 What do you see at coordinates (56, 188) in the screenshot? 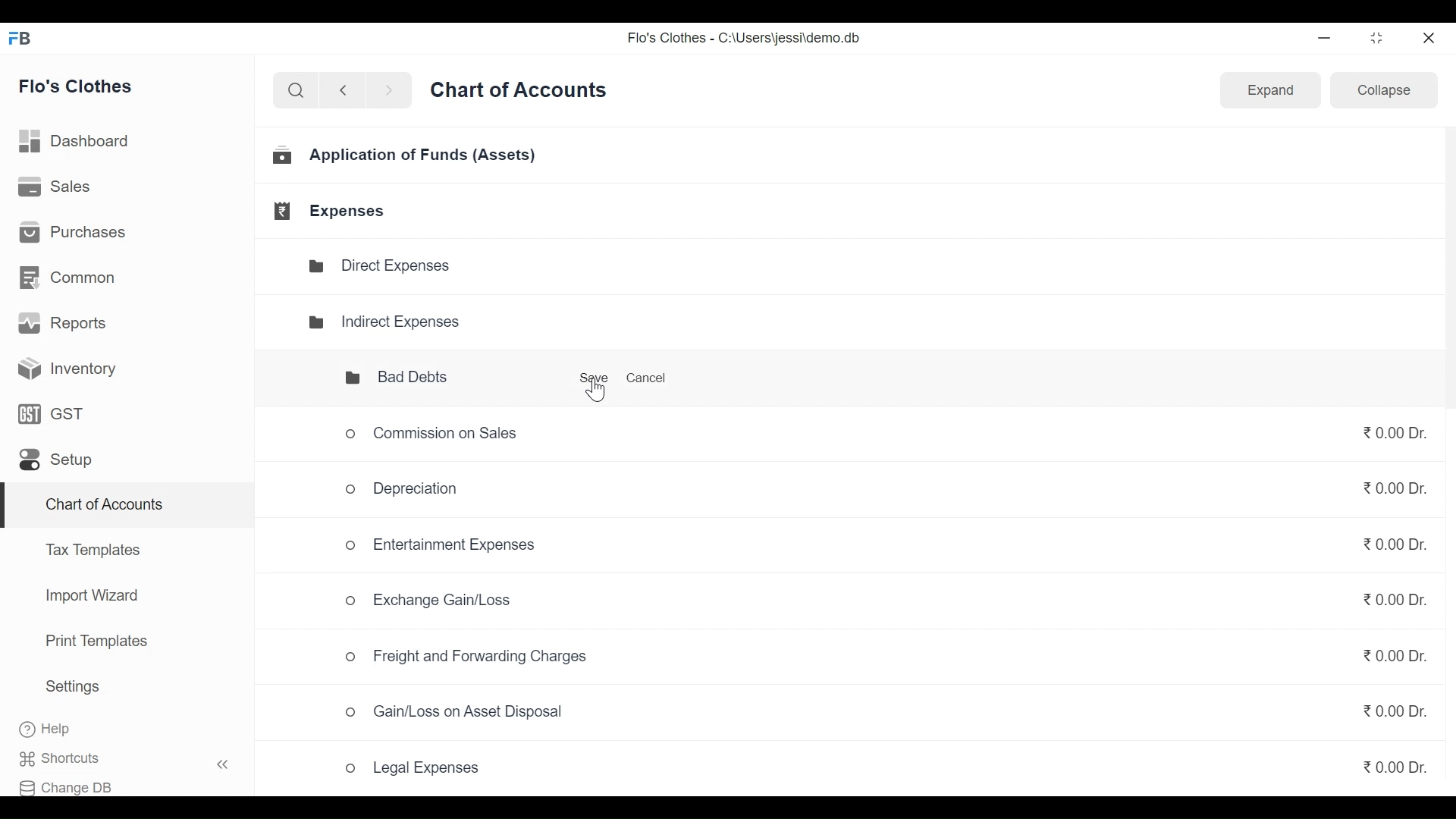
I see `Sales` at bounding box center [56, 188].